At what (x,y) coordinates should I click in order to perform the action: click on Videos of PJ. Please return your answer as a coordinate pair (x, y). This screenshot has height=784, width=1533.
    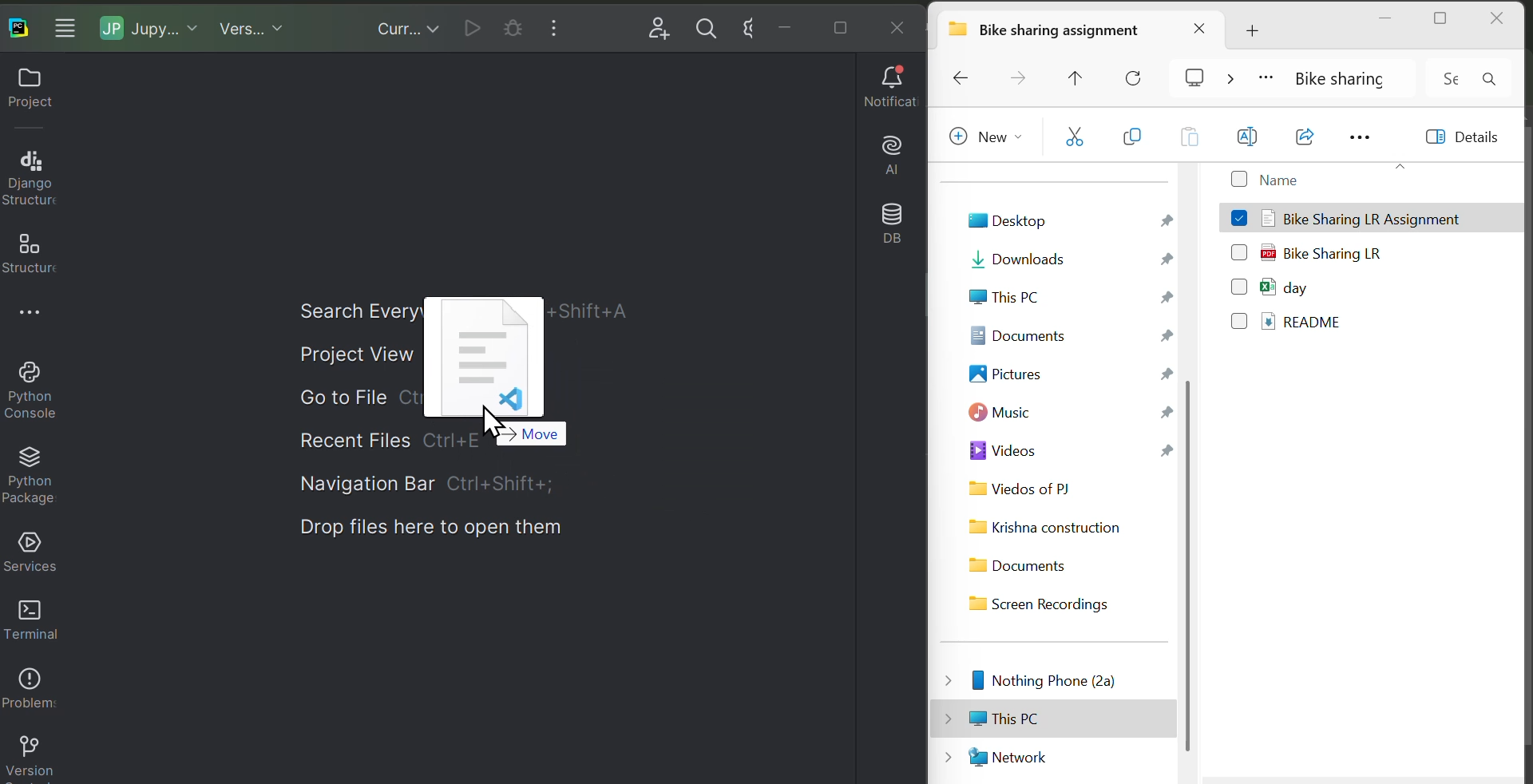
    Looking at the image, I should click on (1071, 487).